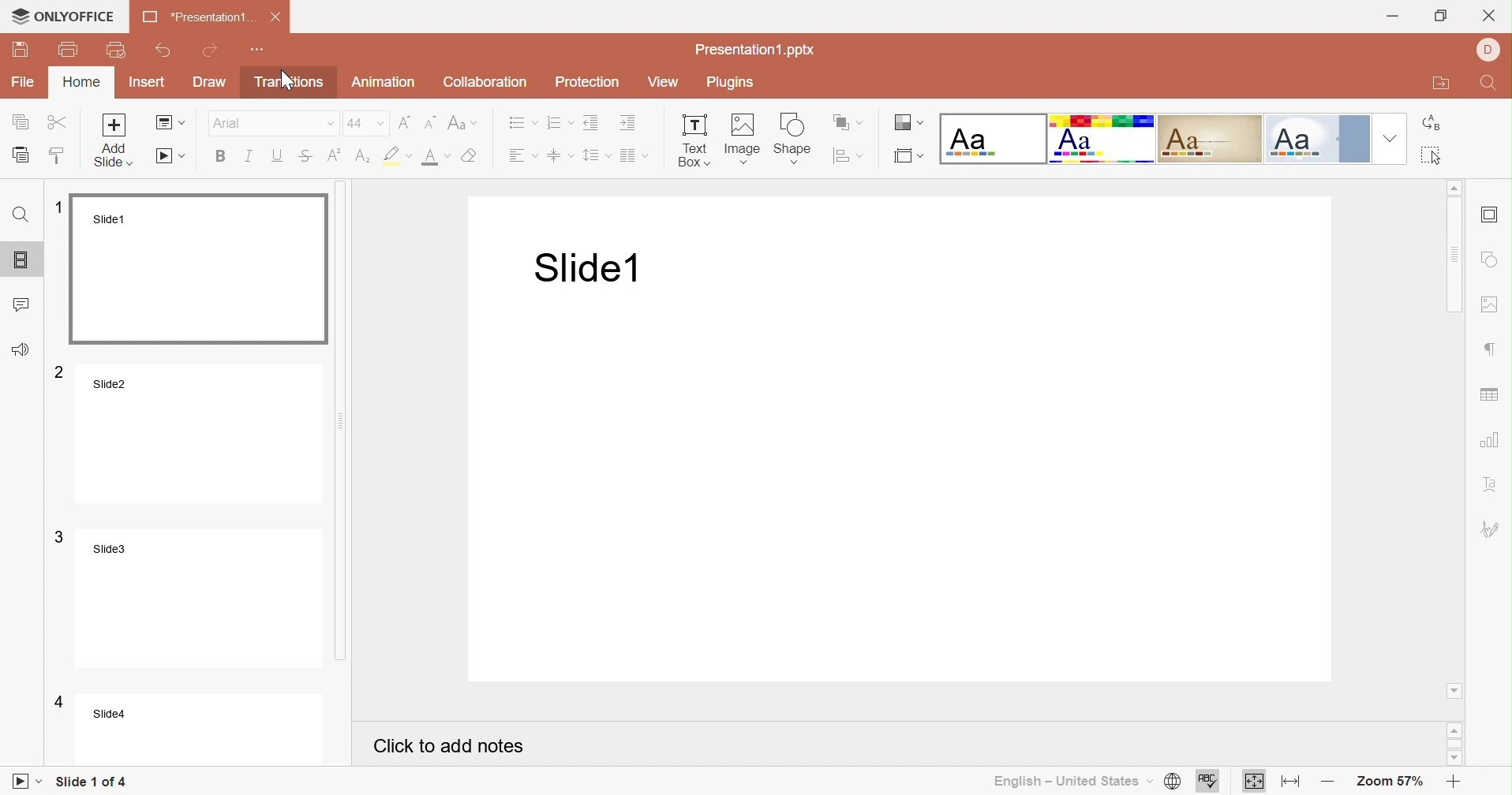 This screenshot has width=1512, height=795. Describe the element at coordinates (60, 204) in the screenshot. I see `1` at that location.